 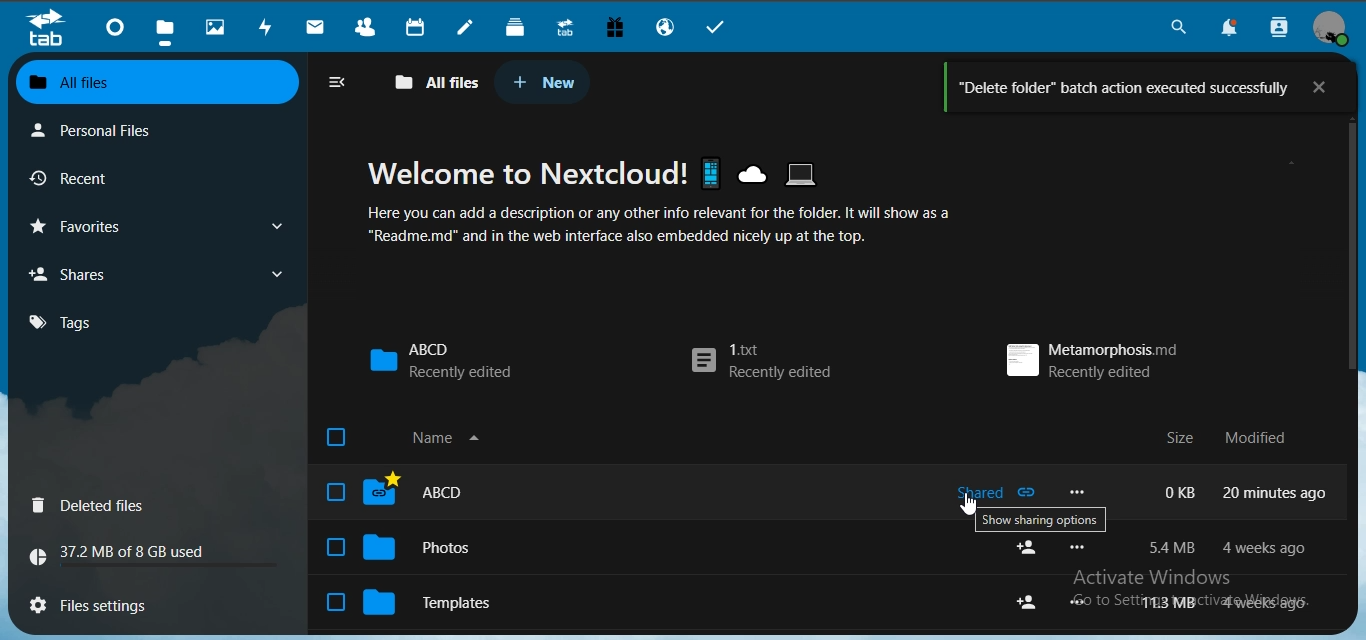 I want to click on 2 weeks ago, so click(x=1267, y=549).